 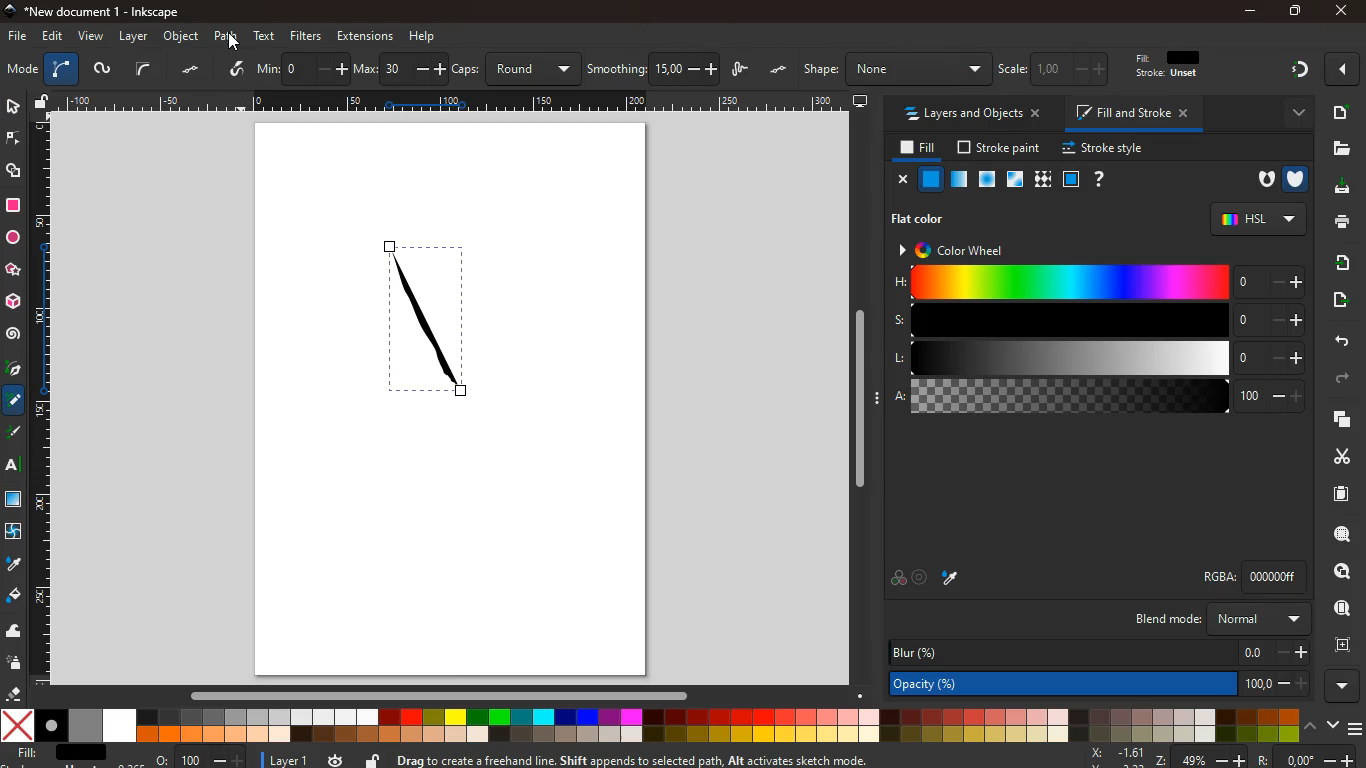 I want to click on layers, so click(x=1335, y=419).